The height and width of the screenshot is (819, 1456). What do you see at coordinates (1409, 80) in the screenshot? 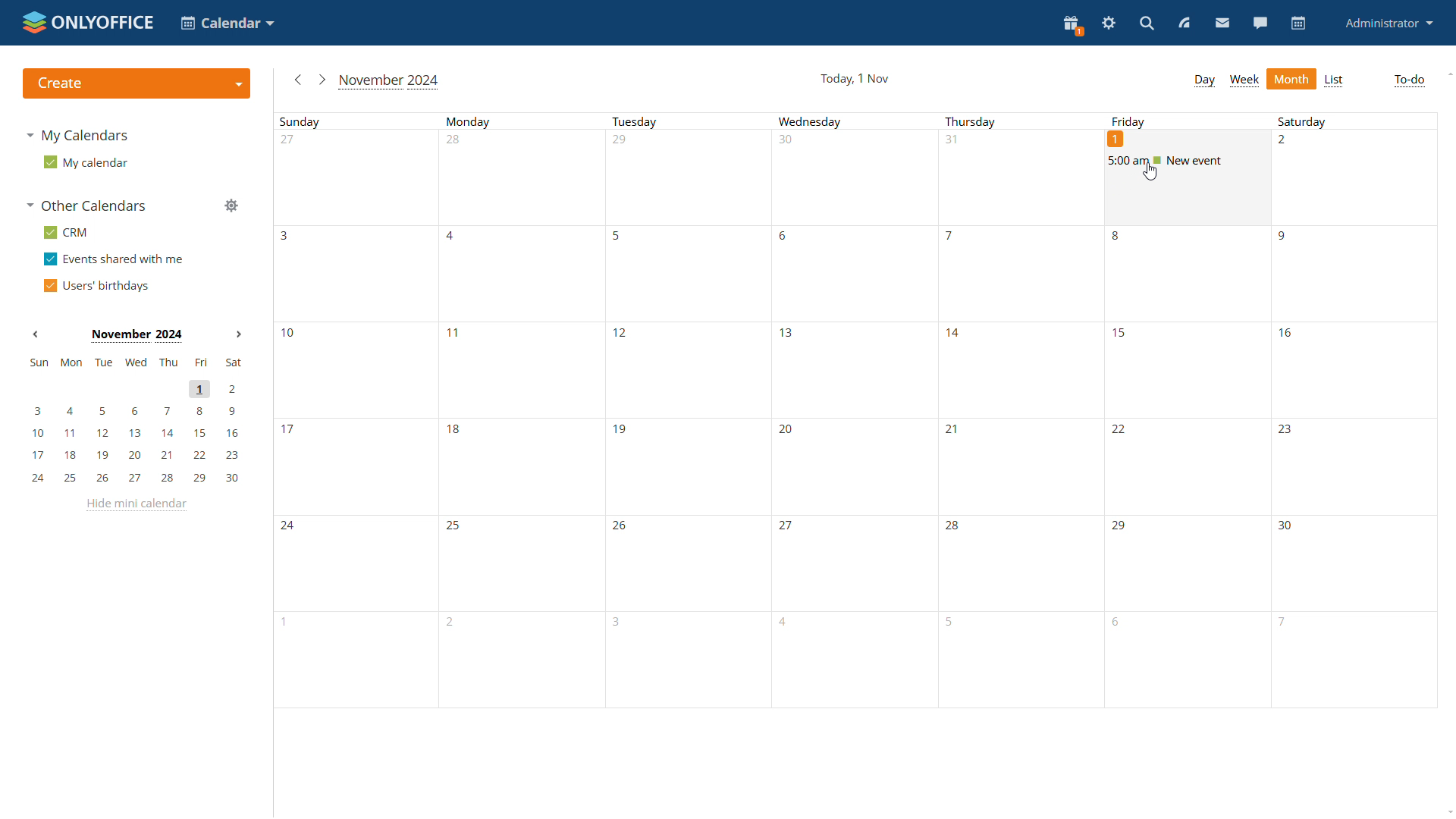
I see `to-do` at bounding box center [1409, 80].